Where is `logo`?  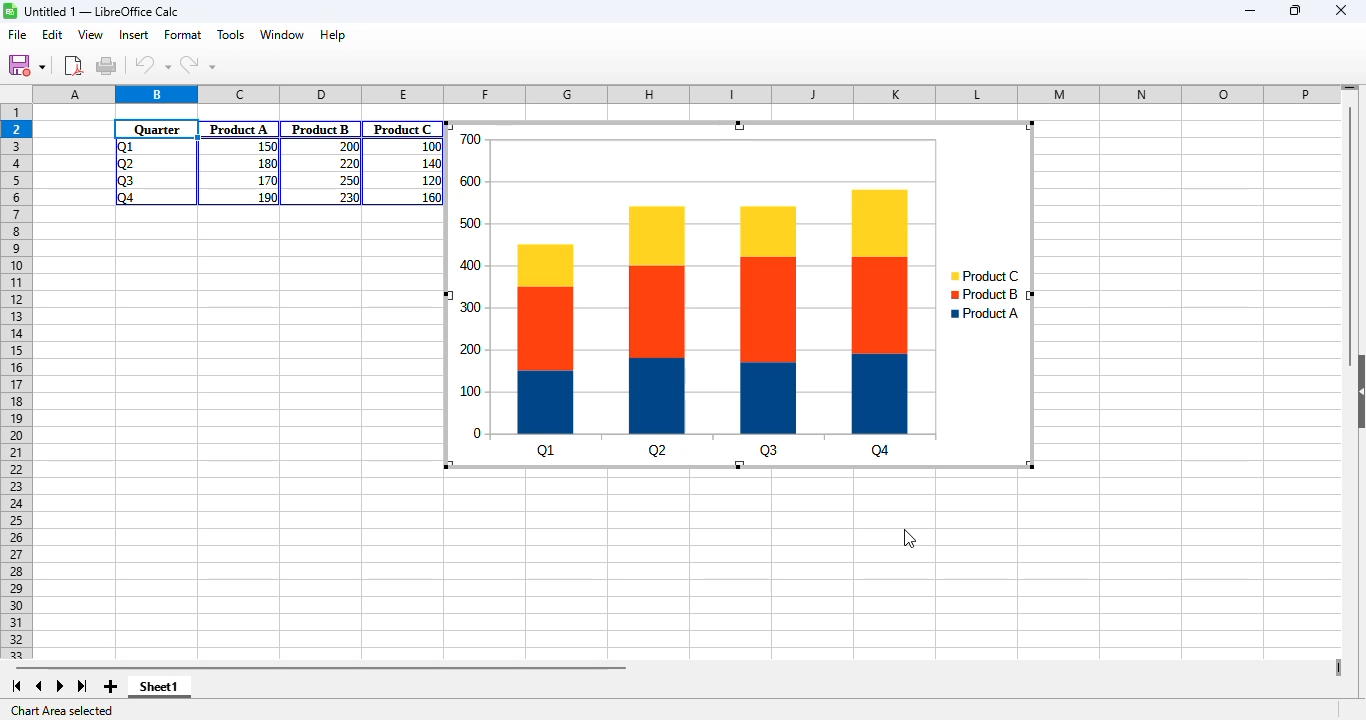
logo is located at coordinates (10, 10).